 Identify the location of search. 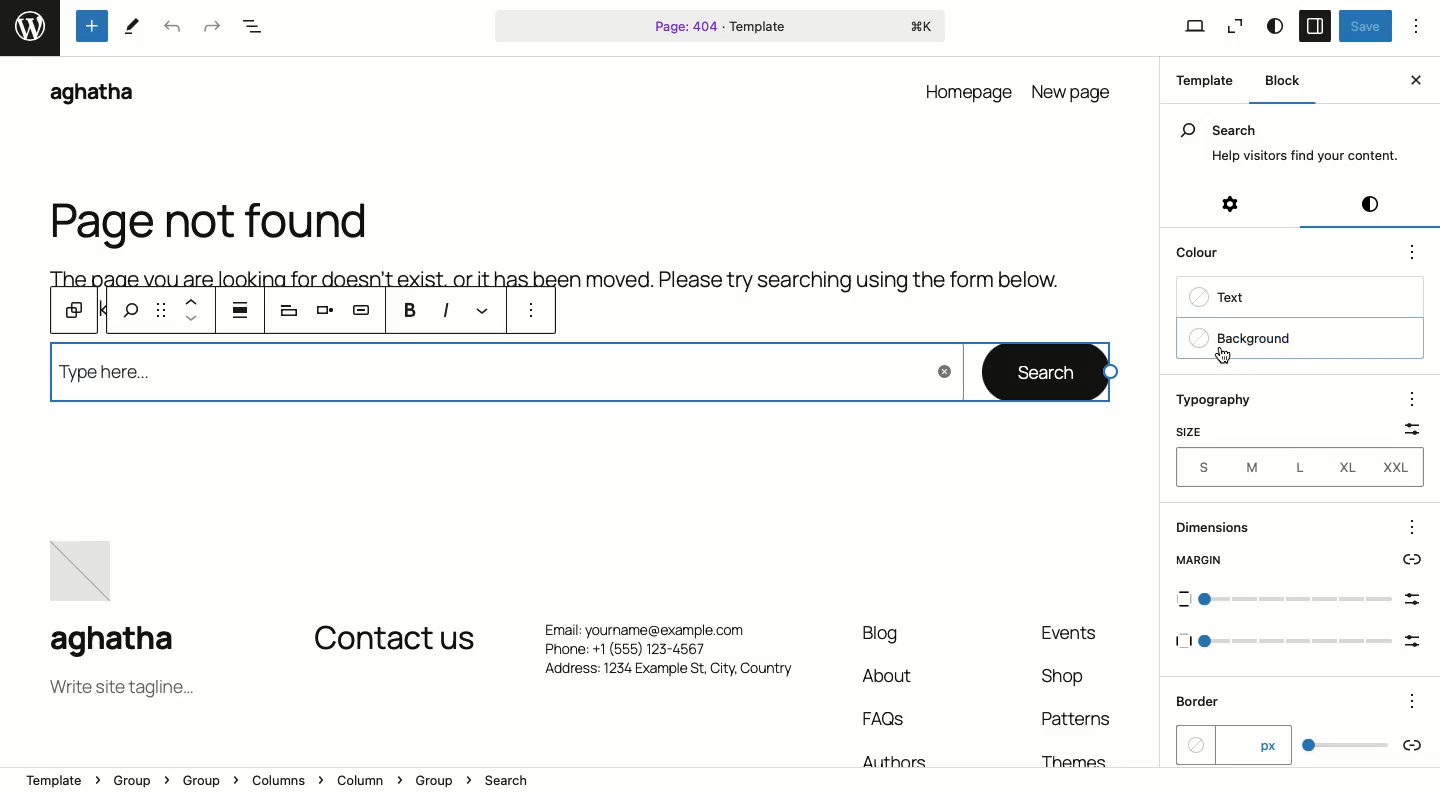
(130, 312).